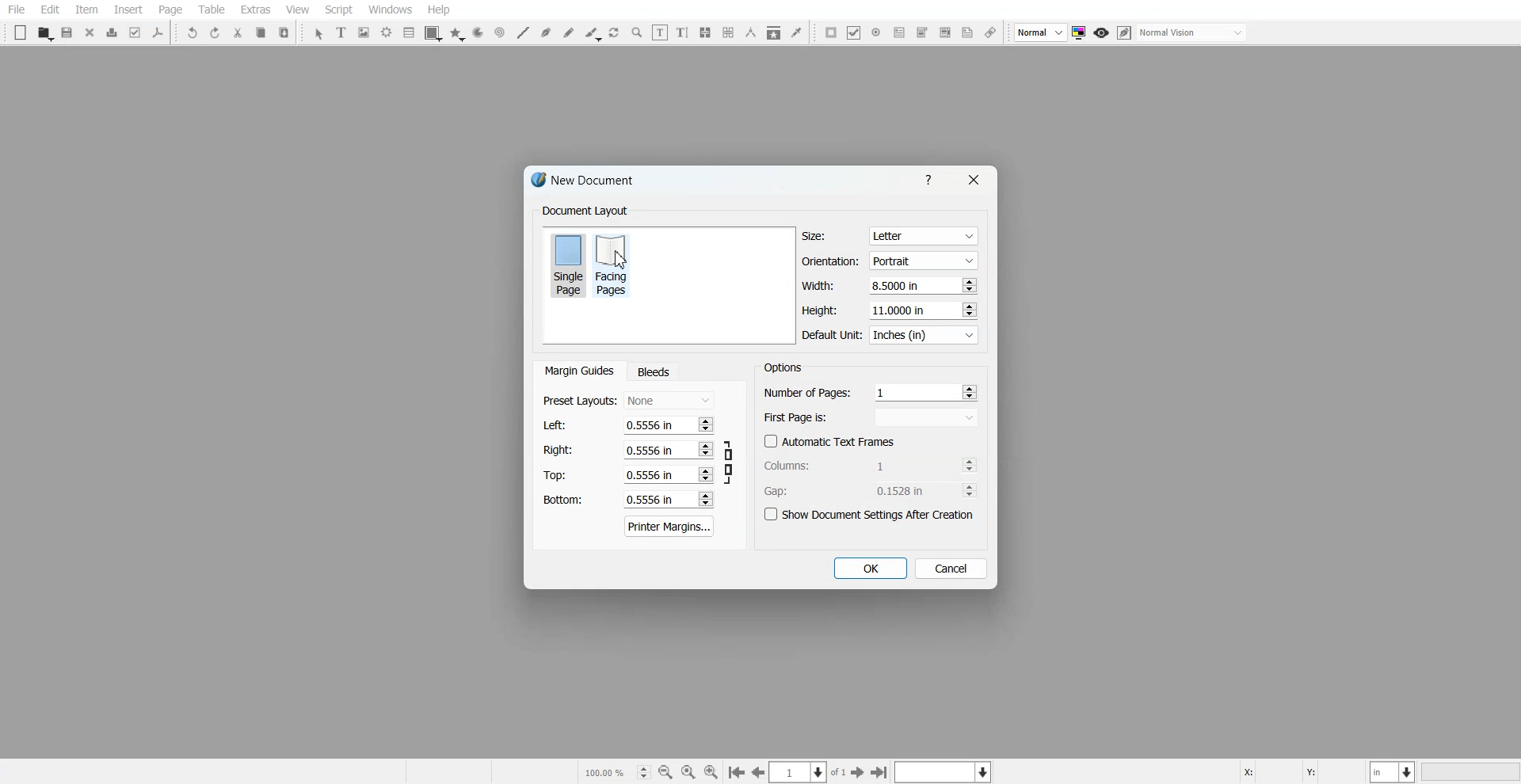  What do you see at coordinates (860, 772) in the screenshot?
I see `Go to the First page` at bounding box center [860, 772].